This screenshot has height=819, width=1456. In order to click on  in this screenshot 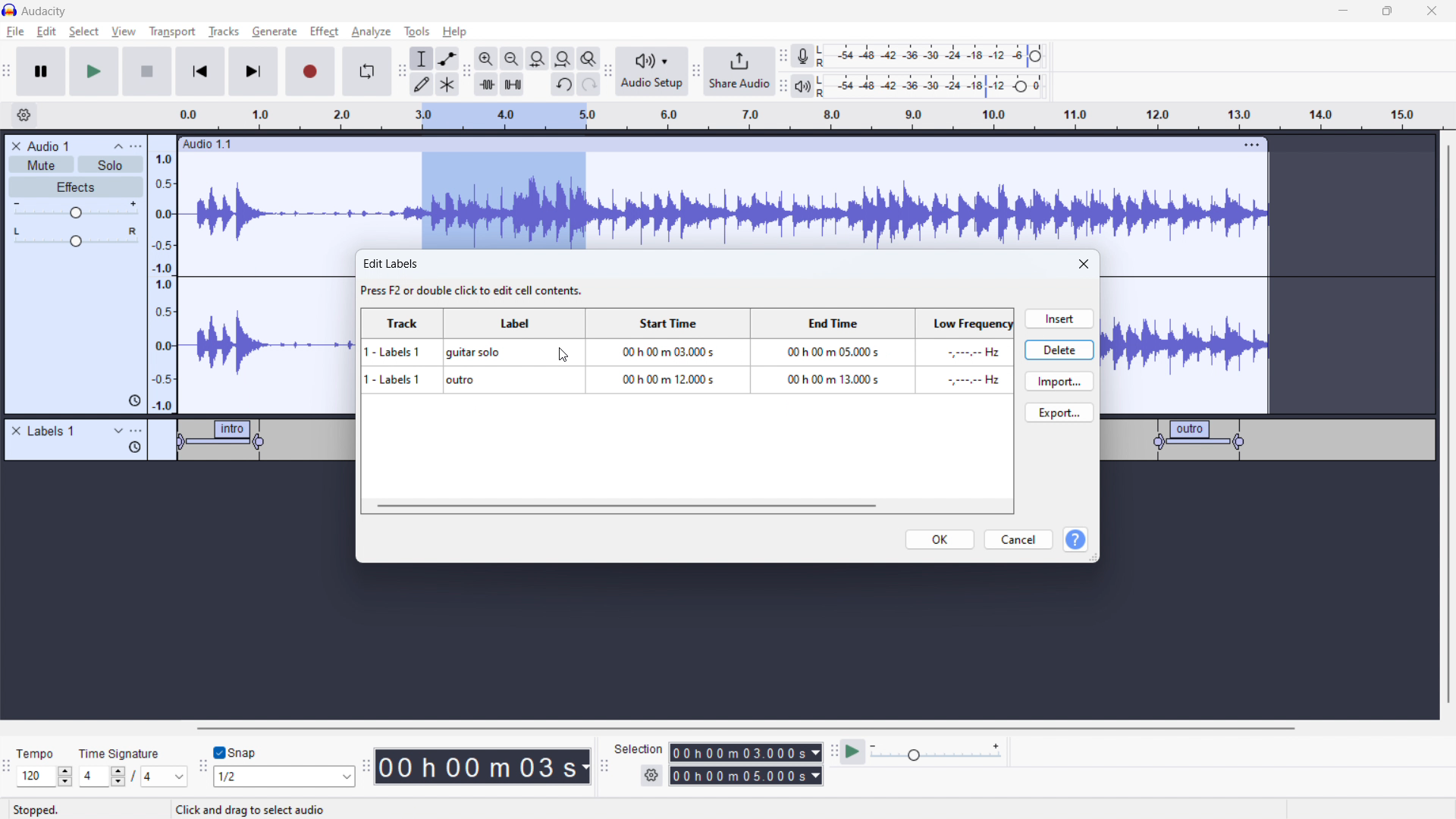, I will do `click(823, 86)`.